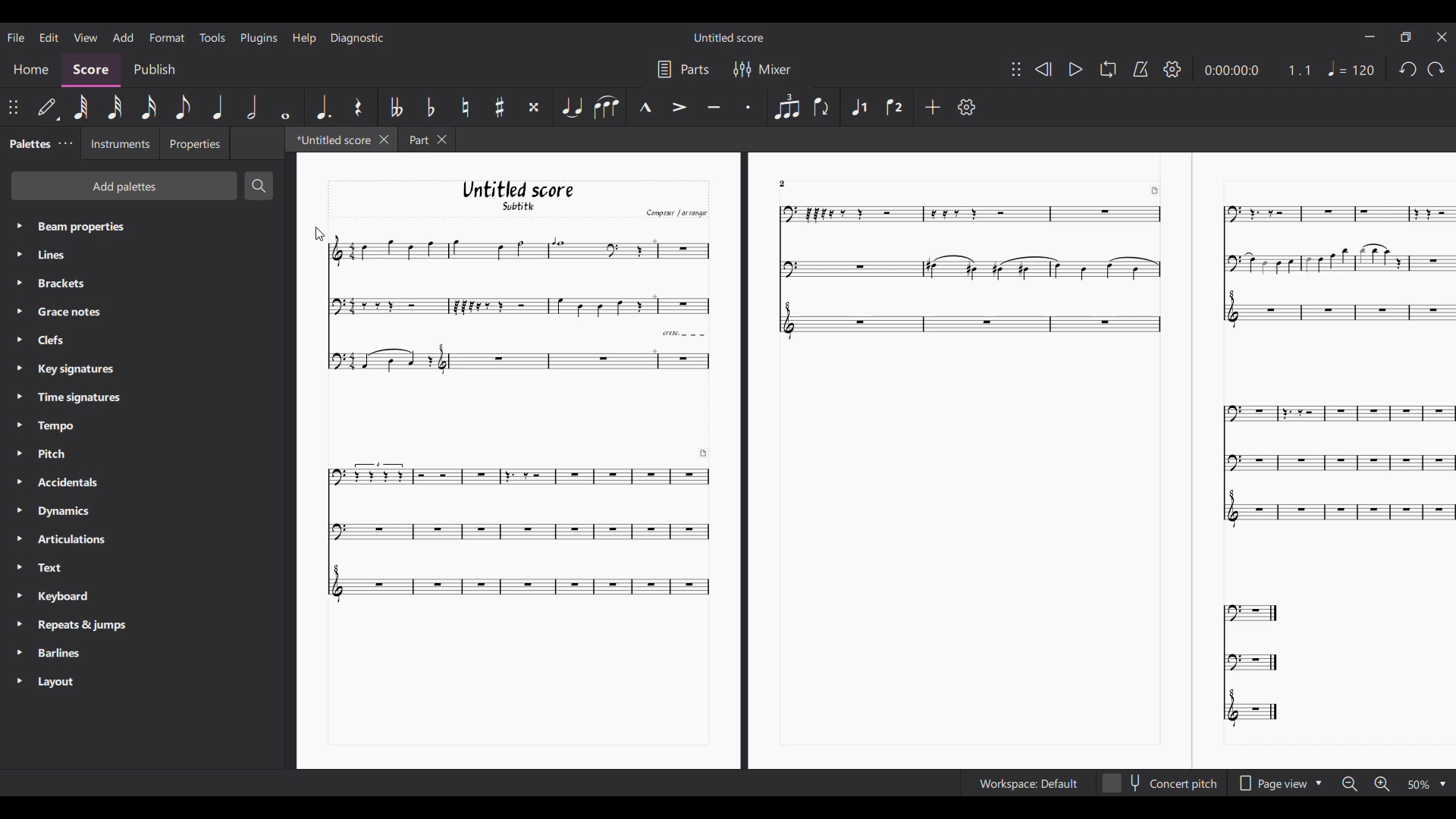 The width and height of the screenshot is (1456, 819). Describe the element at coordinates (416, 139) in the screenshot. I see `Part` at that location.